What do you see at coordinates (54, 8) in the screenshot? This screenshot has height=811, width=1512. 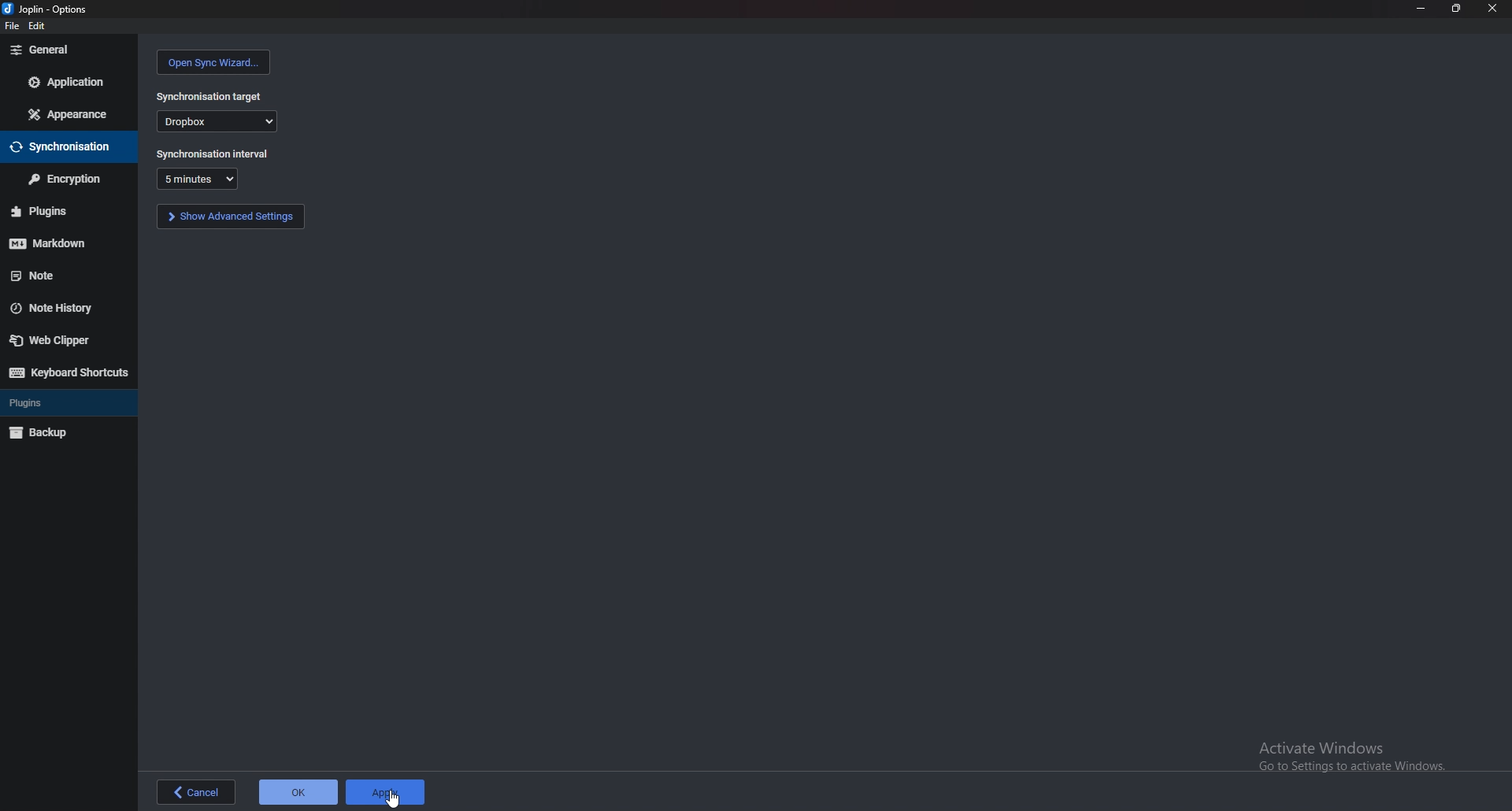 I see `options` at bounding box center [54, 8].